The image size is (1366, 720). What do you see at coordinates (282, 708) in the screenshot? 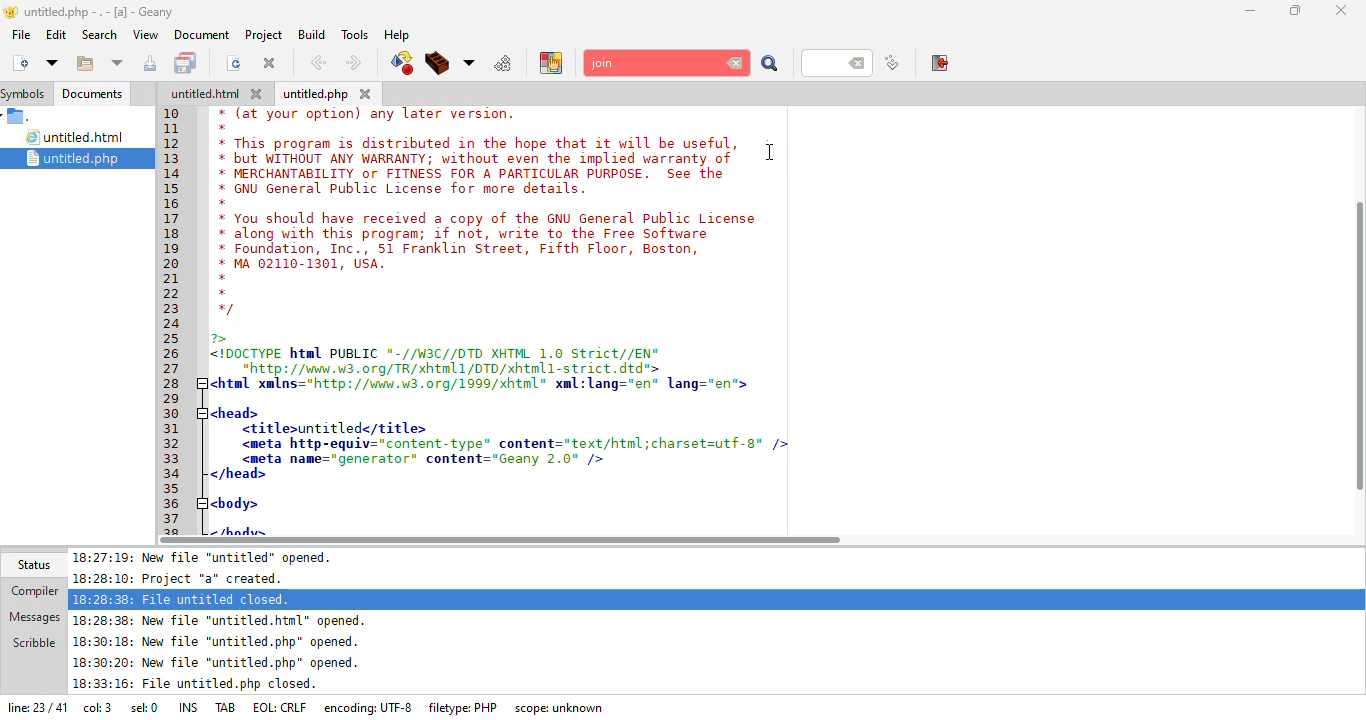
I see `eol: CRLF` at bounding box center [282, 708].